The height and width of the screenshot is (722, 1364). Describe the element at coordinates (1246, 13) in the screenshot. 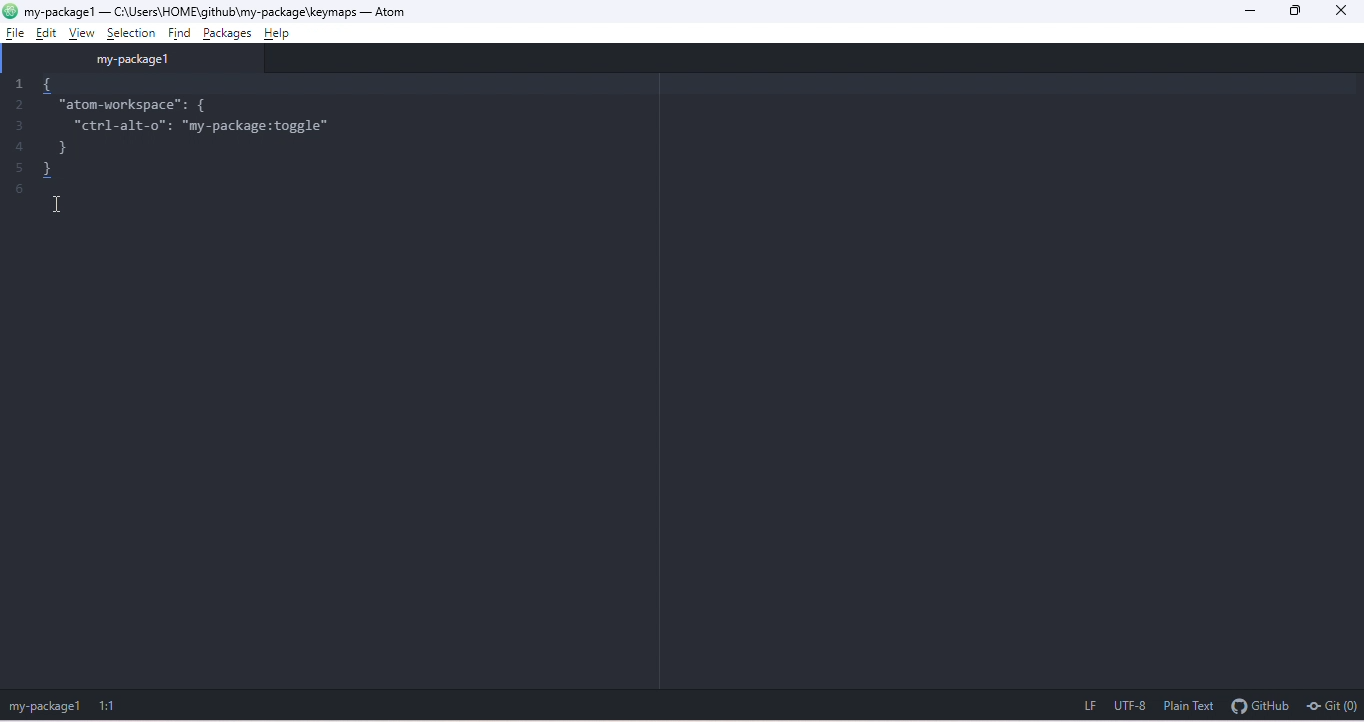

I see `minimize` at that location.